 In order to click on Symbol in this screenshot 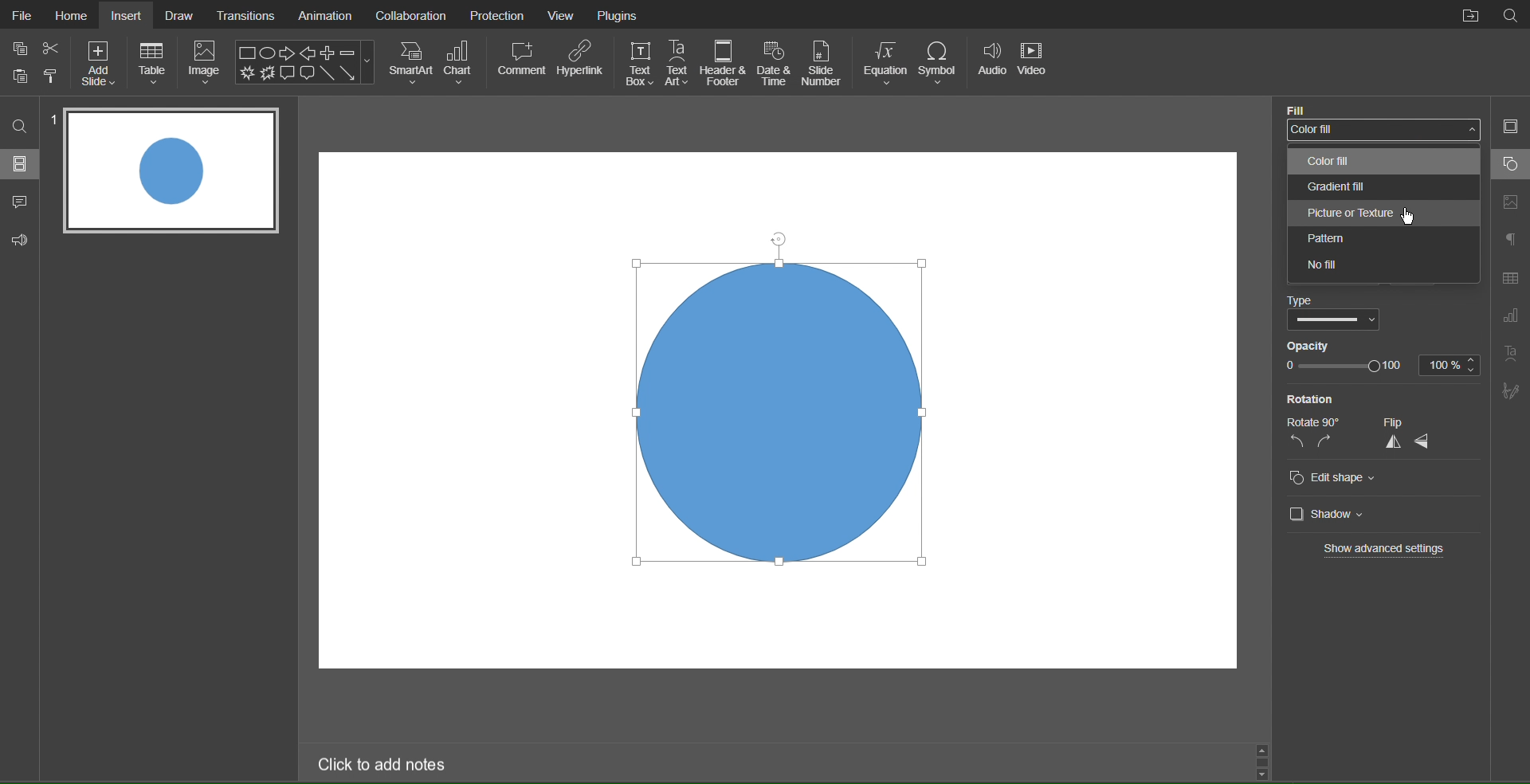, I will do `click(942, 64)`.